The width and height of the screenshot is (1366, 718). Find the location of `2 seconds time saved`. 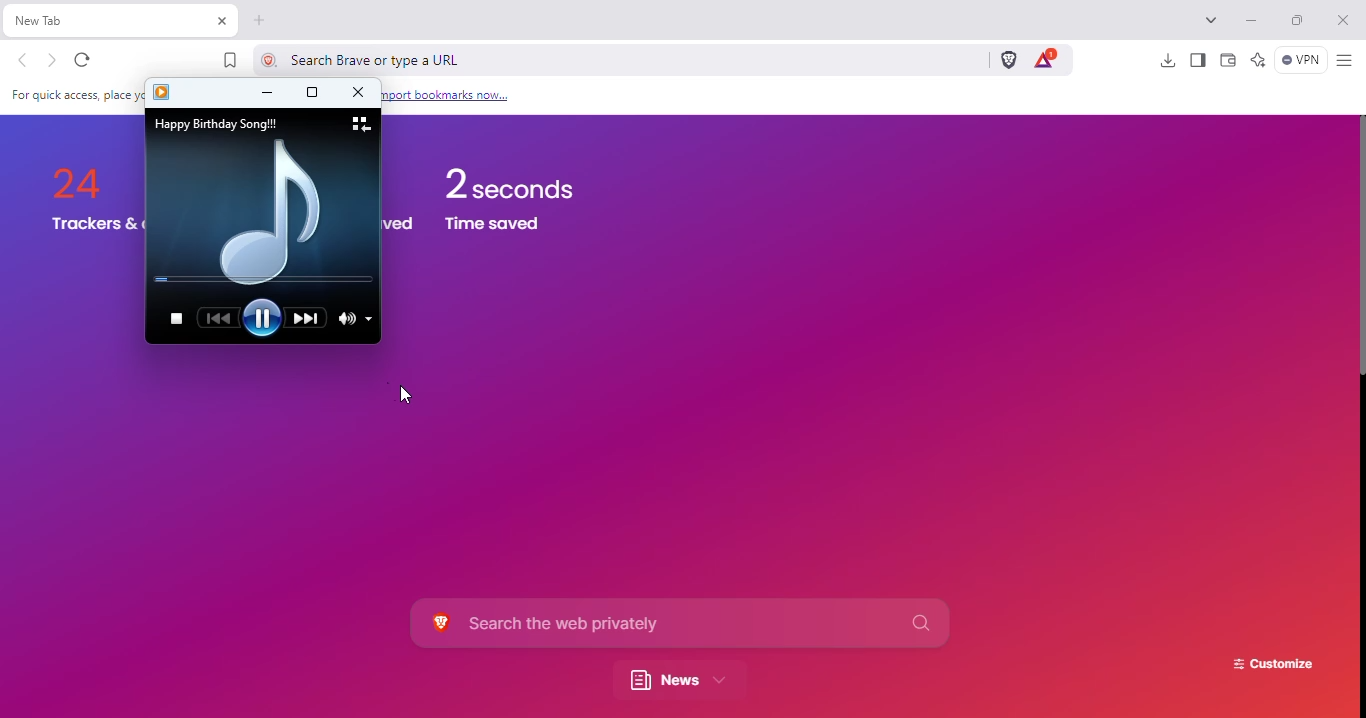

2 seconds time saved is located at coordinates (508, 181).